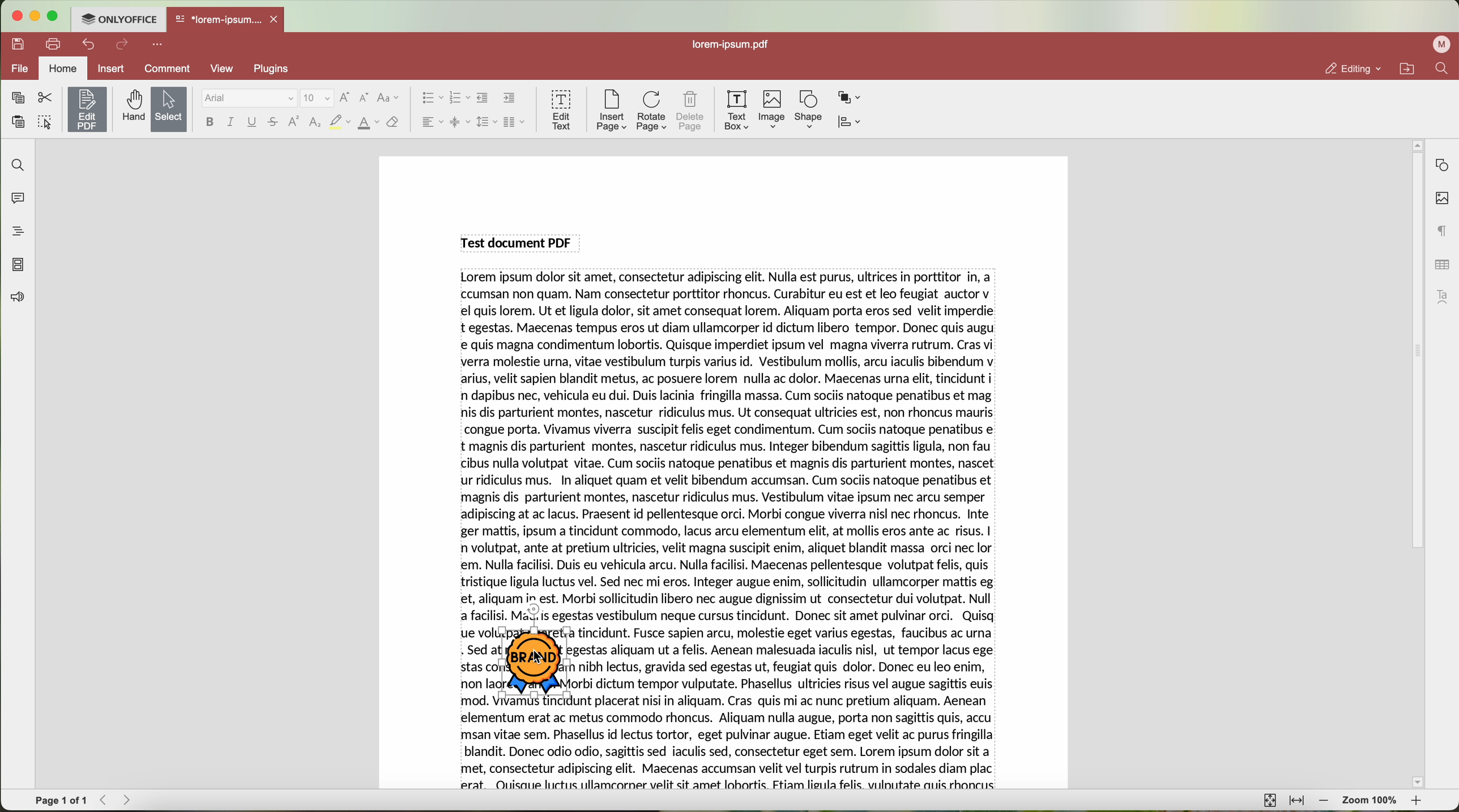 The image size is (1459, 812). I want to click on decrease indent, so click(483, 98).